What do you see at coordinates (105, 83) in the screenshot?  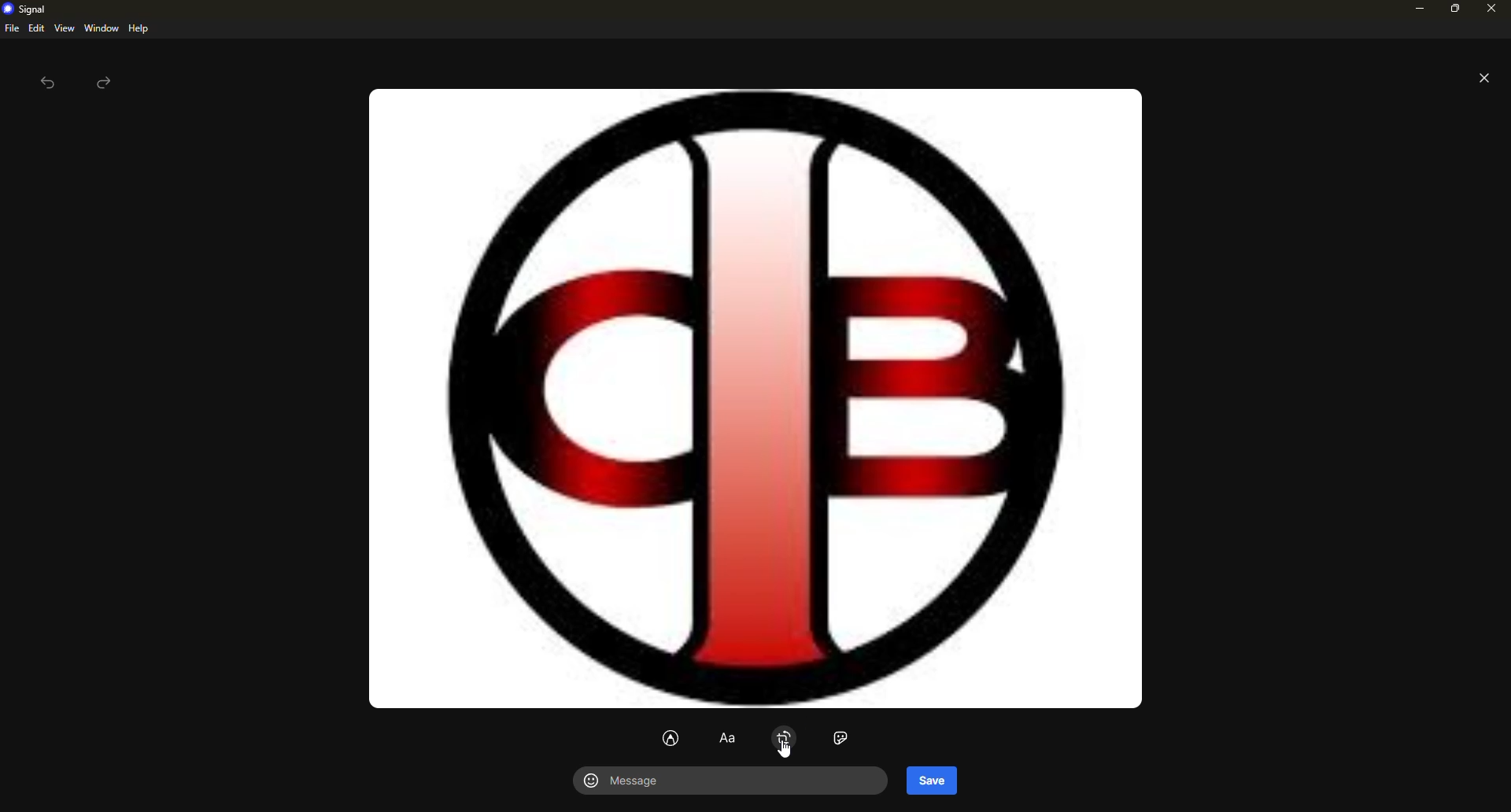 I see `forward` at bounding box center [105, 83].